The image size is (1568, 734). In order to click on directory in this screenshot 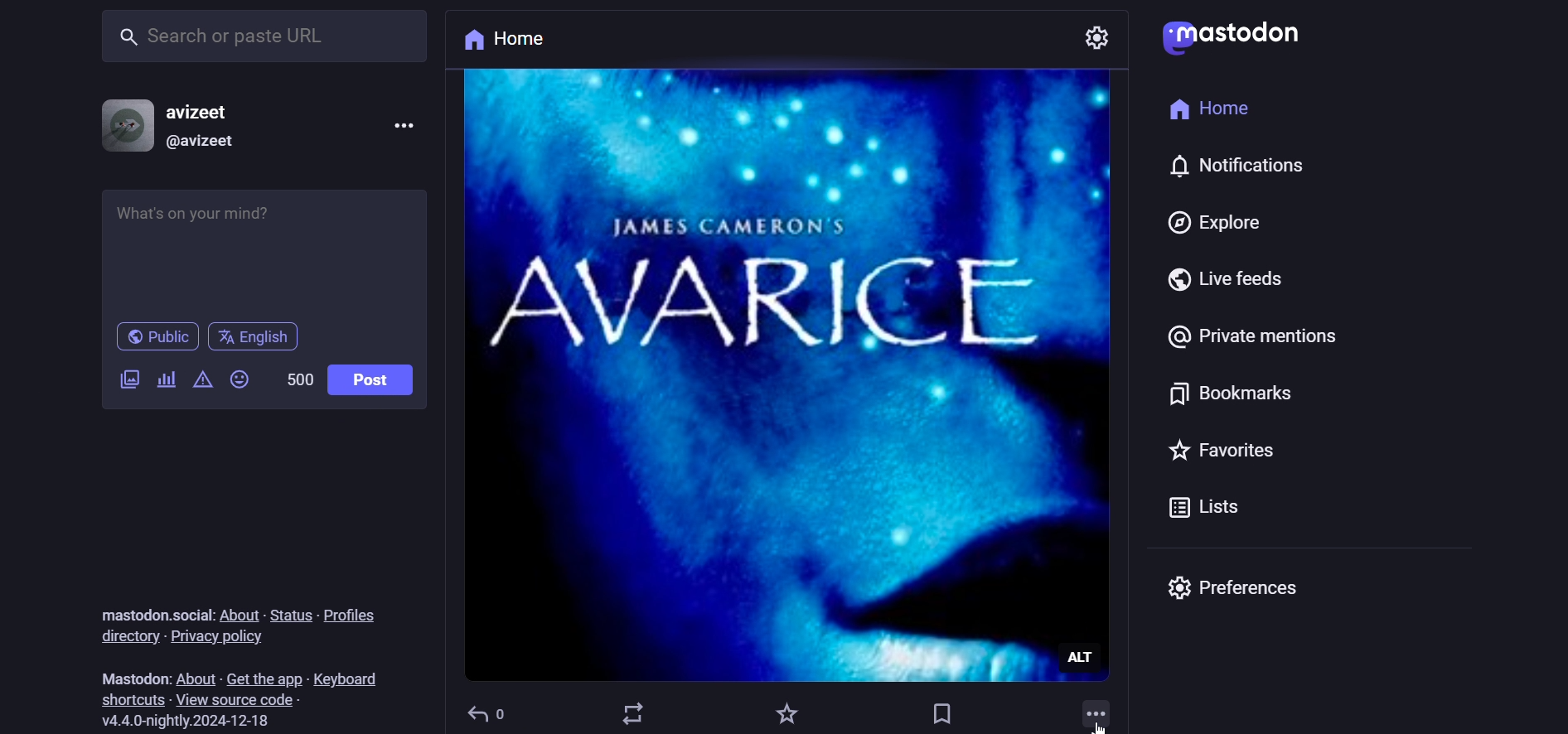, I will do `click(123, 636)`.